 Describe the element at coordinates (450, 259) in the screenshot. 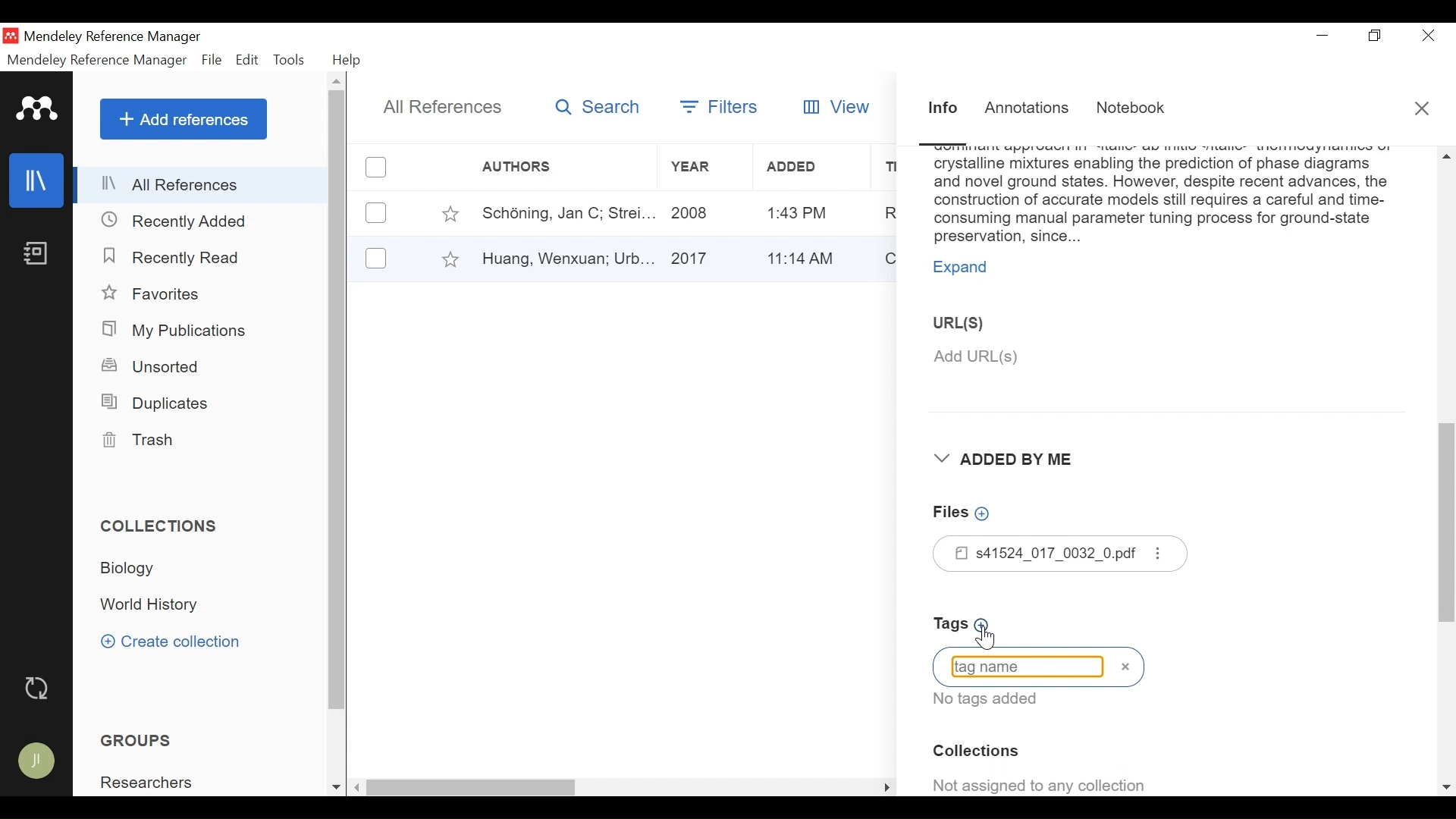

I see `Toggle Favorites` at that location.